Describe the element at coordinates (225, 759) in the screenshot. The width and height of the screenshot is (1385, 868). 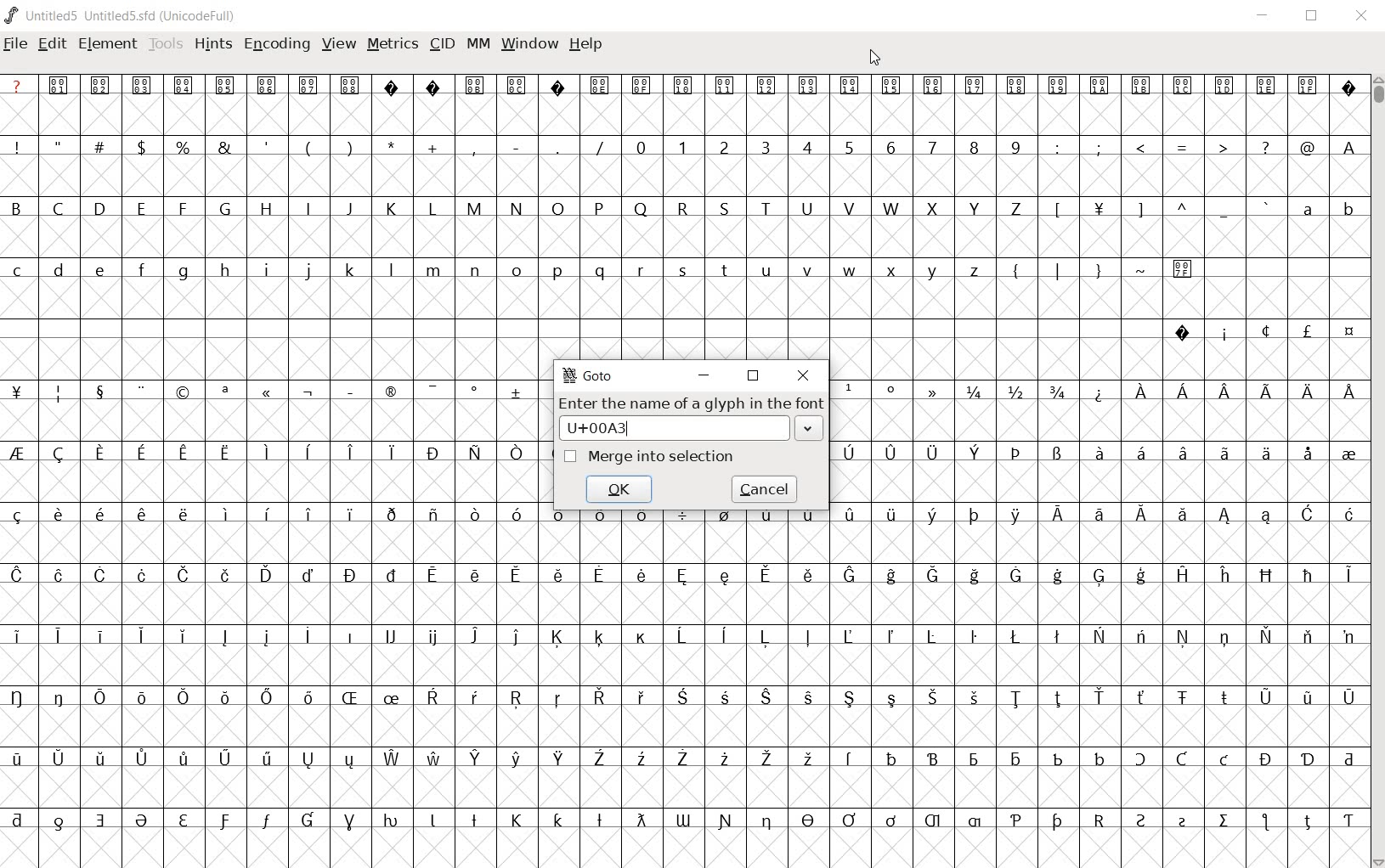
I see `Symbol` at that location.